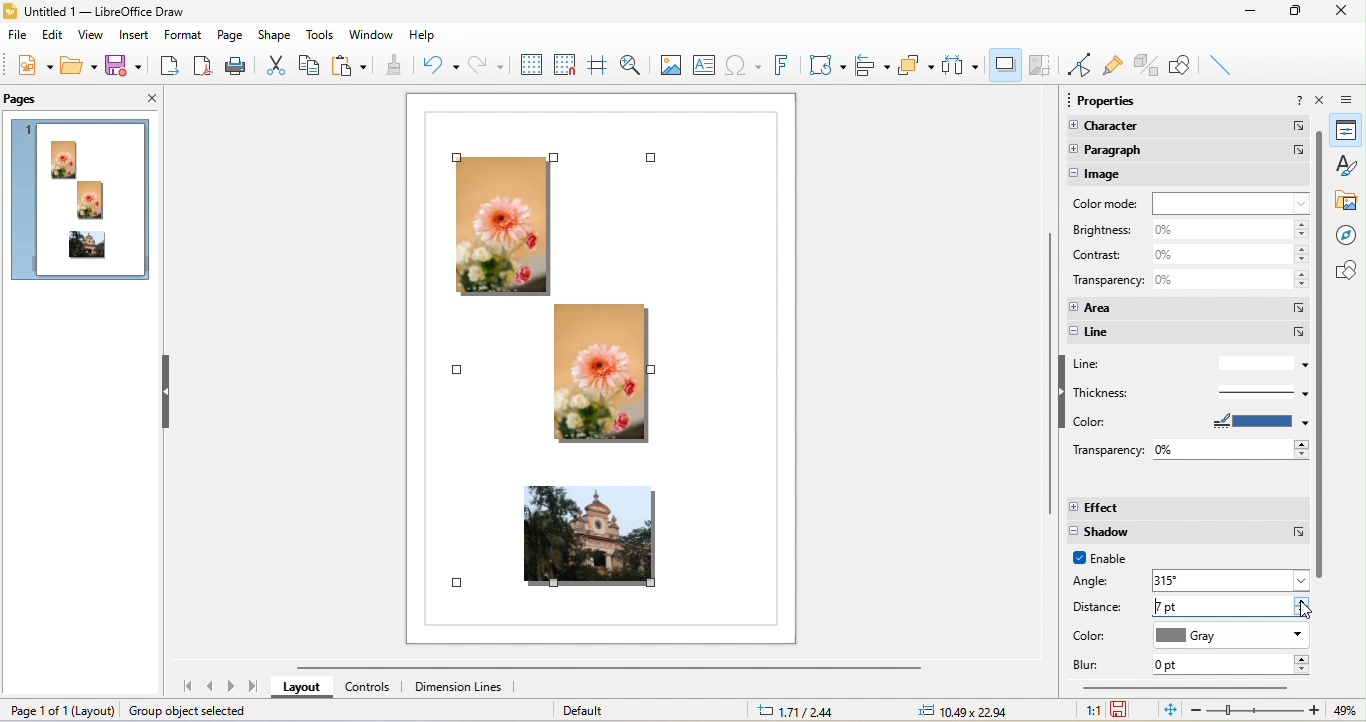 Image resolution: width=1366 pixels, height=722 pixels. I want to click on shadow, so click(1188, 533).